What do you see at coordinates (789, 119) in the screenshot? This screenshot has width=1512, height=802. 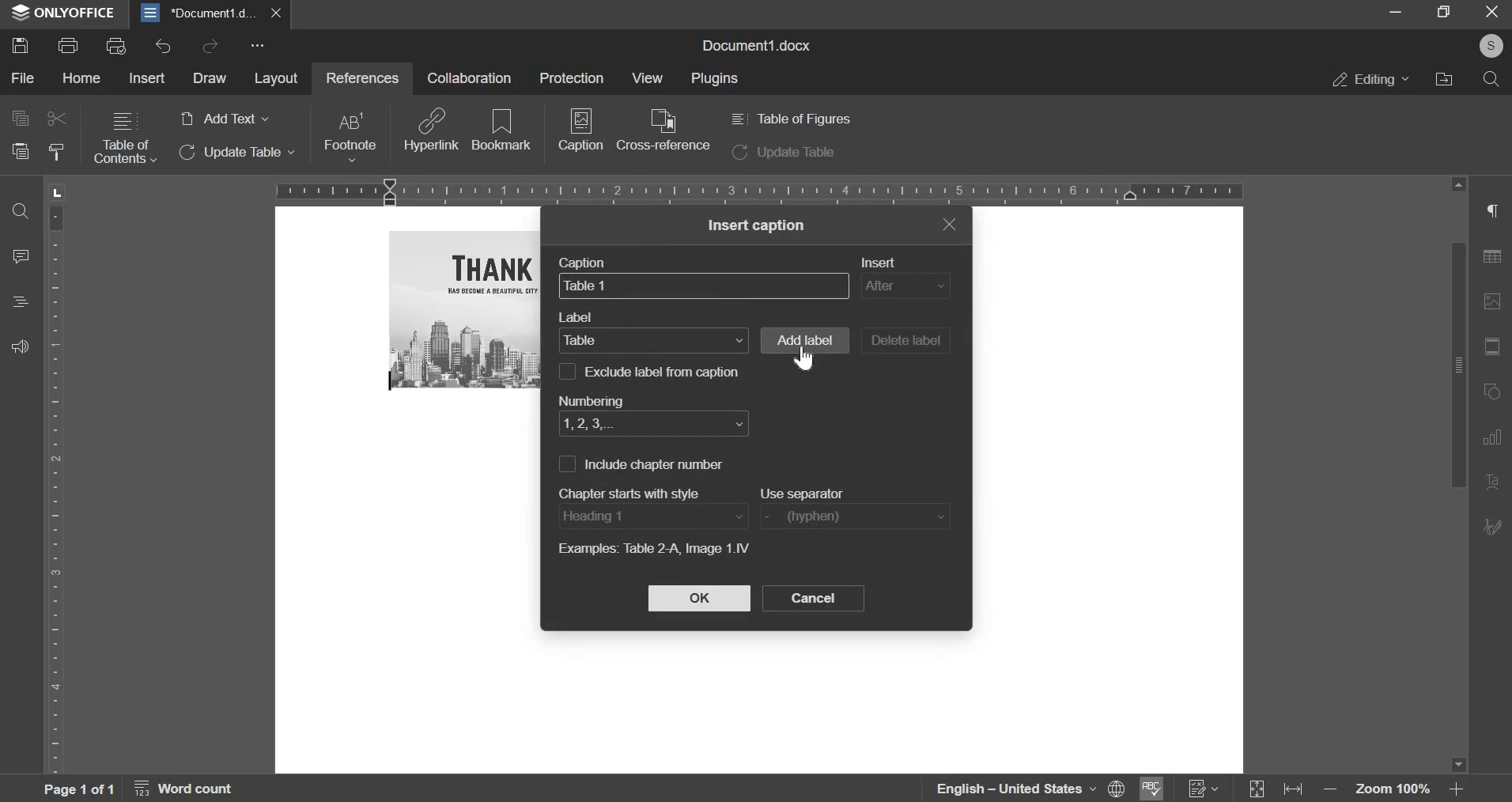 I see `table of figures` at bounding box center [789, 119].